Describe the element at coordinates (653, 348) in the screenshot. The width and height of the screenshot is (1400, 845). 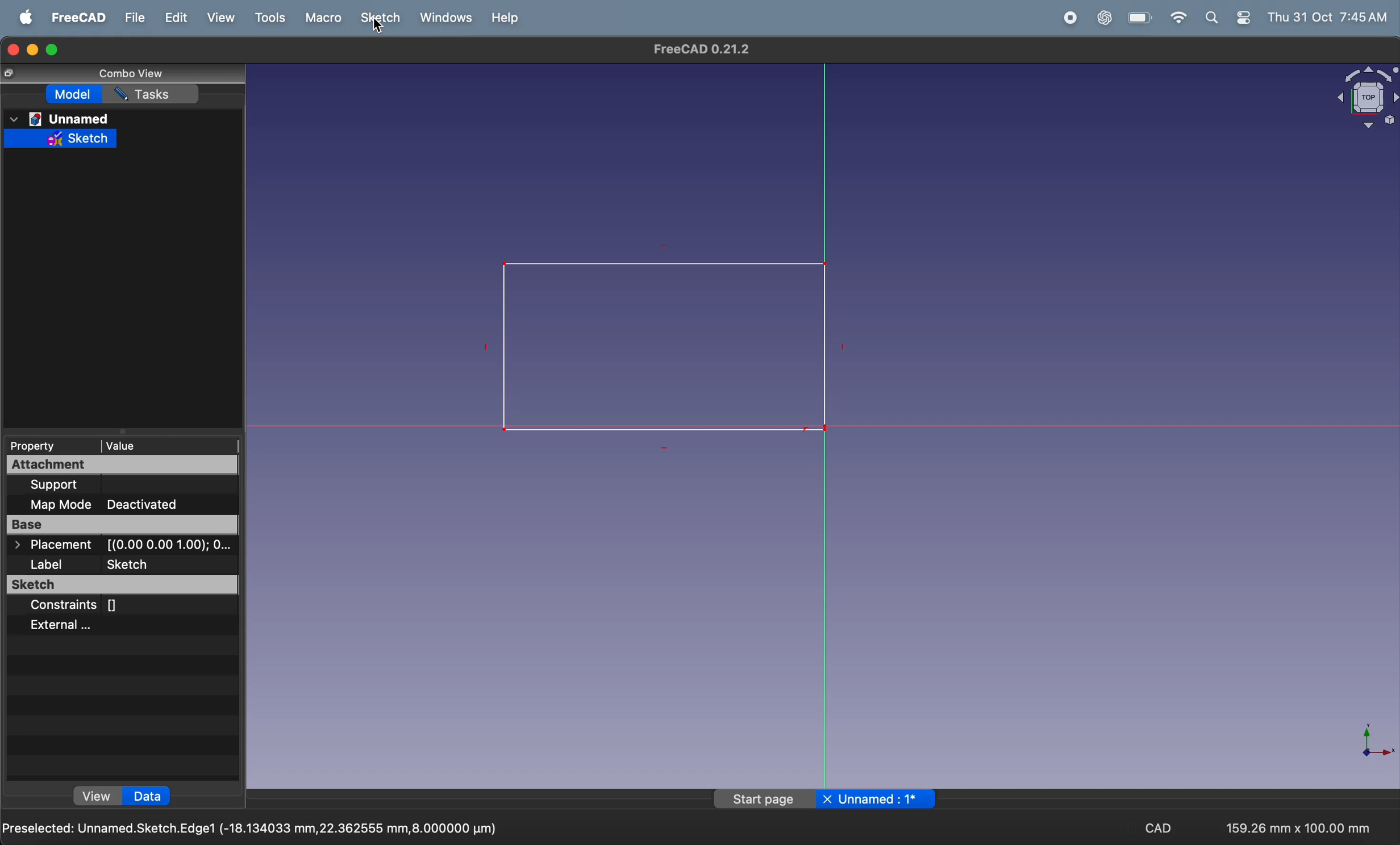
I see `rectangle` at that location.